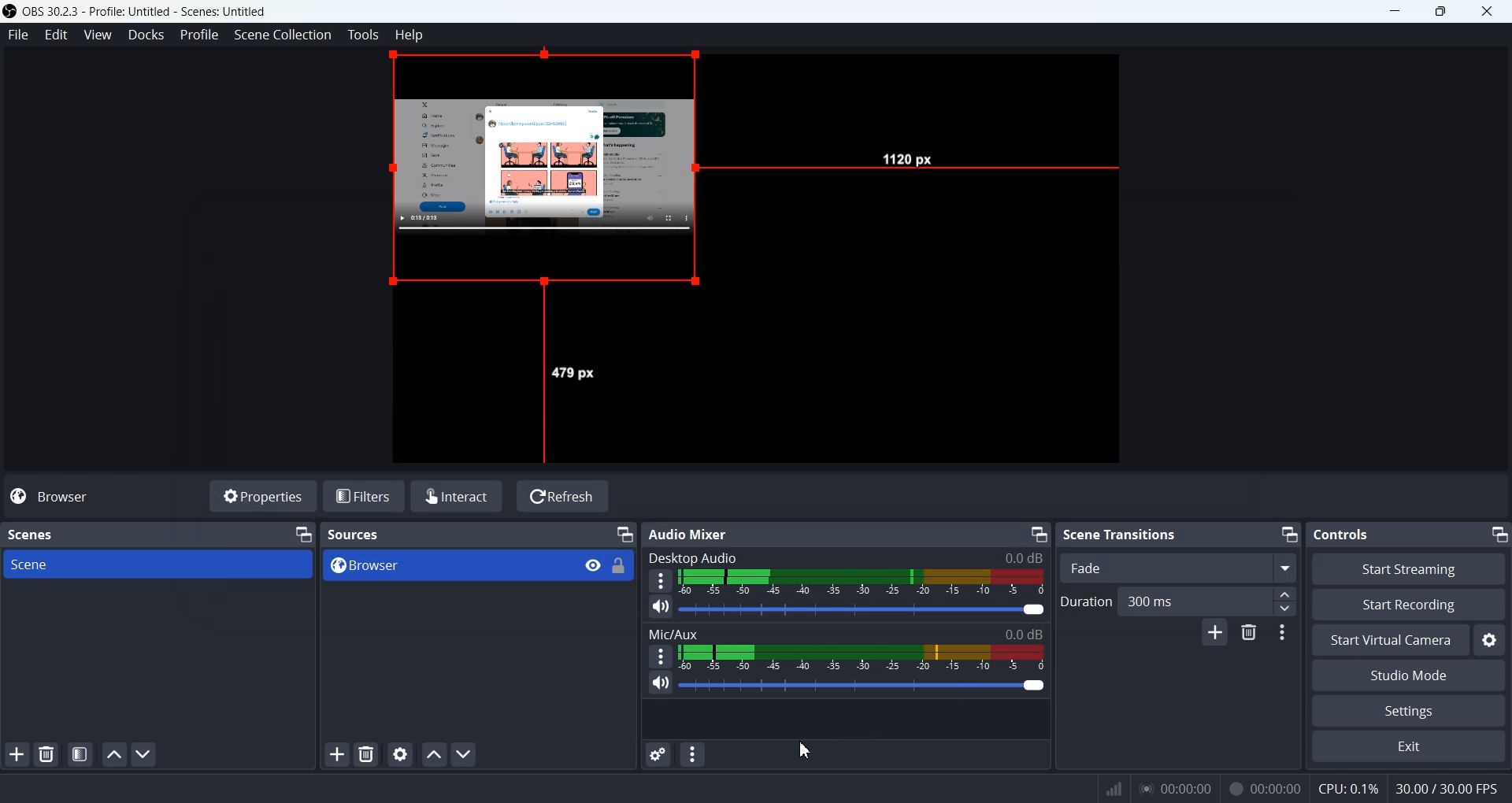 This screenshot has height=803, width=1512. What do you see at coordinates (148, 11) in the screenshot?
I see `‘OBS 30.2.3 - Profile: Untitled - Scenes: Untitled` at bounding box center [148, 11].